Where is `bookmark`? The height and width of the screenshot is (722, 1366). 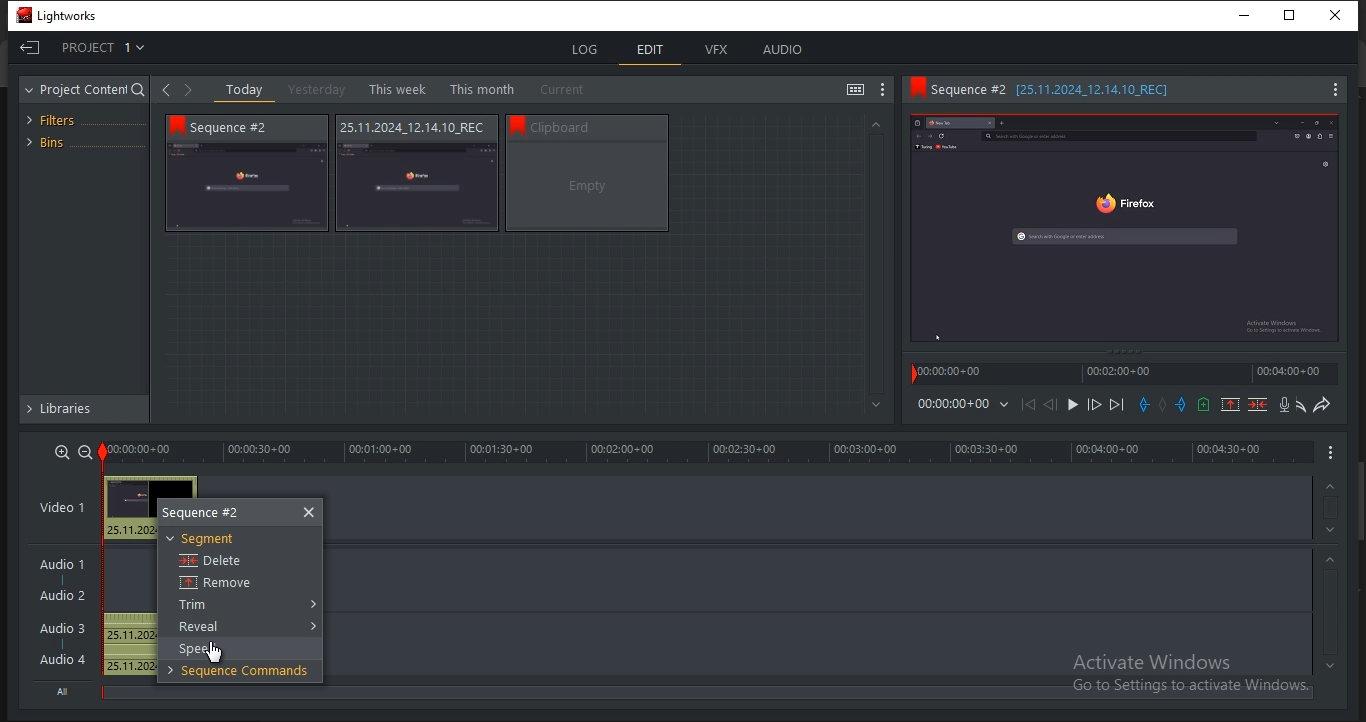 bookmark is located at coordinates (517, 124).